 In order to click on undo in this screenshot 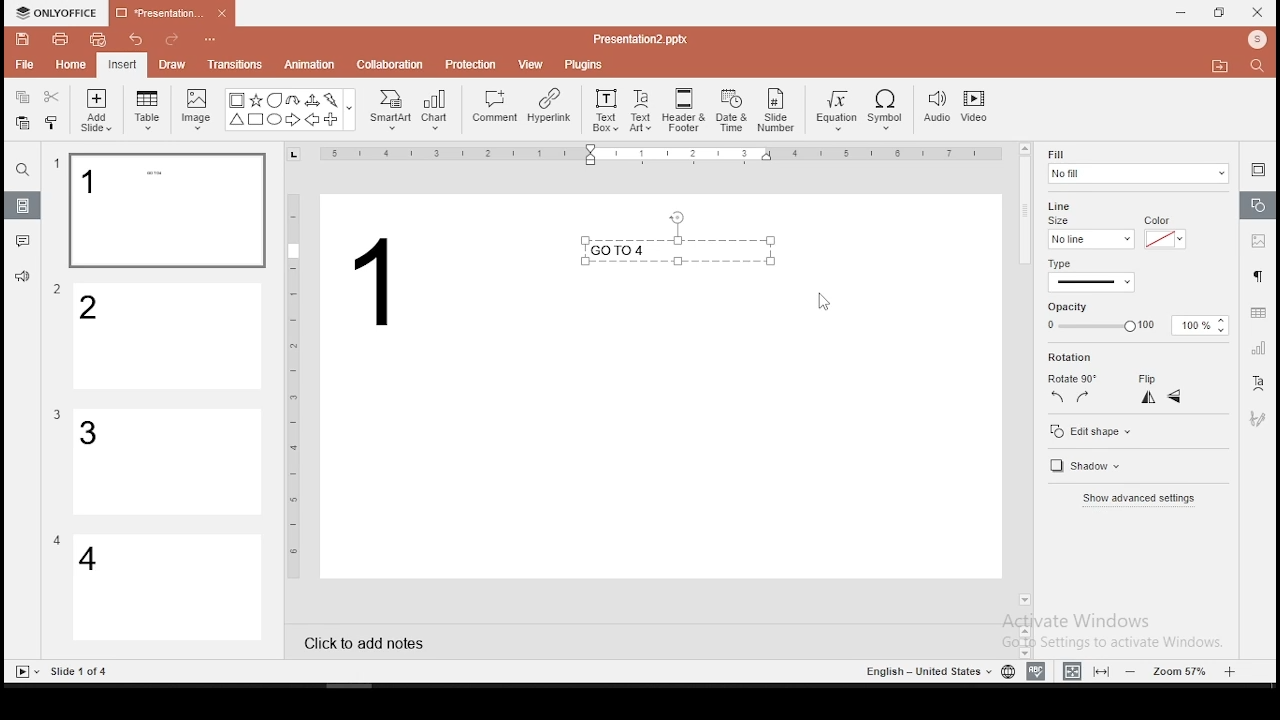, I will do `click(136, 41)`.